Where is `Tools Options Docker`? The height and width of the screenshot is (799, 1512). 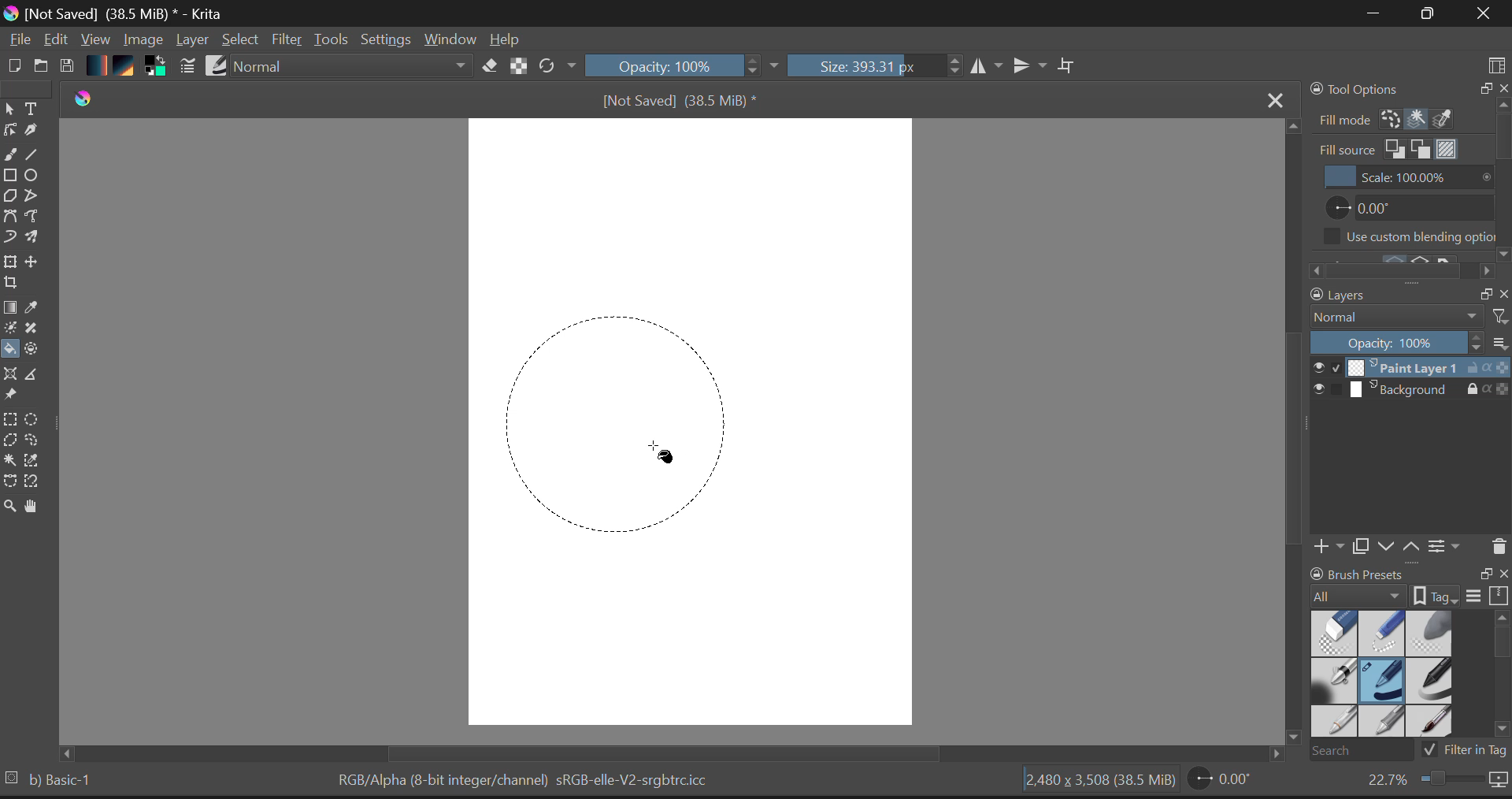 Tools Options Docker is located at coordinates (1408, 103).